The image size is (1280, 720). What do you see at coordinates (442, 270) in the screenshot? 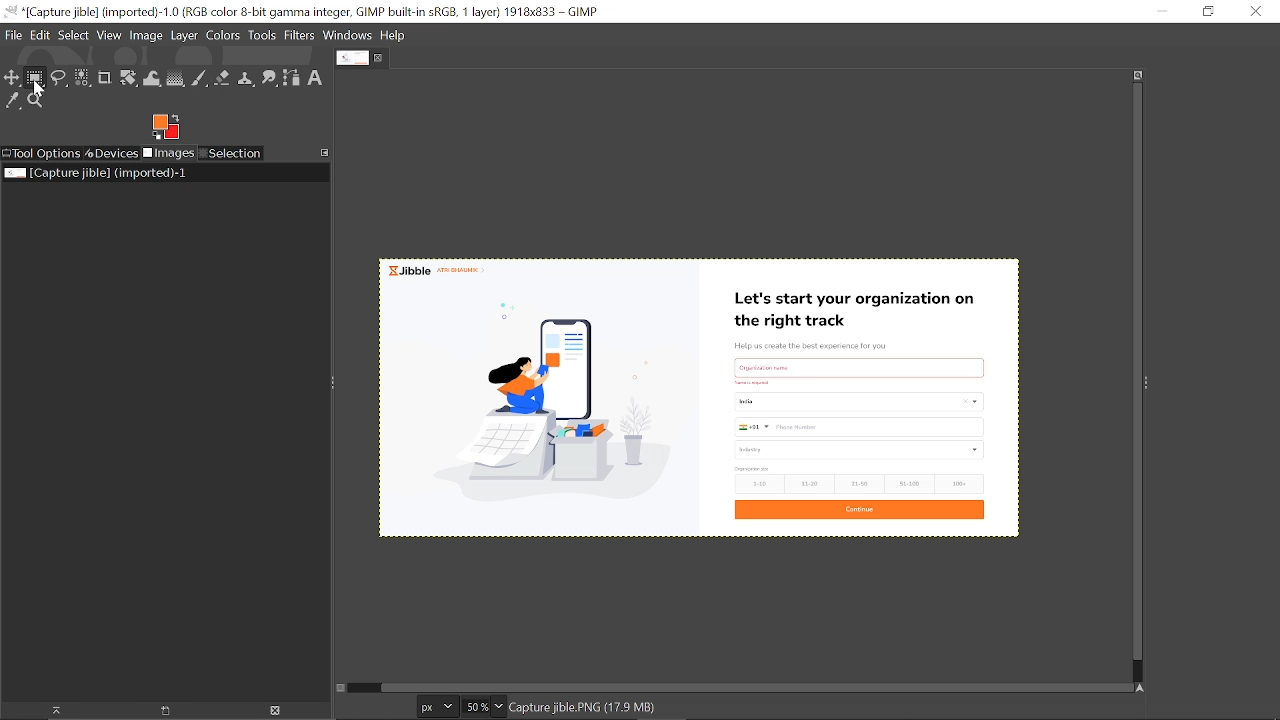
I see `Jibble` at bounding box center [442, 270].